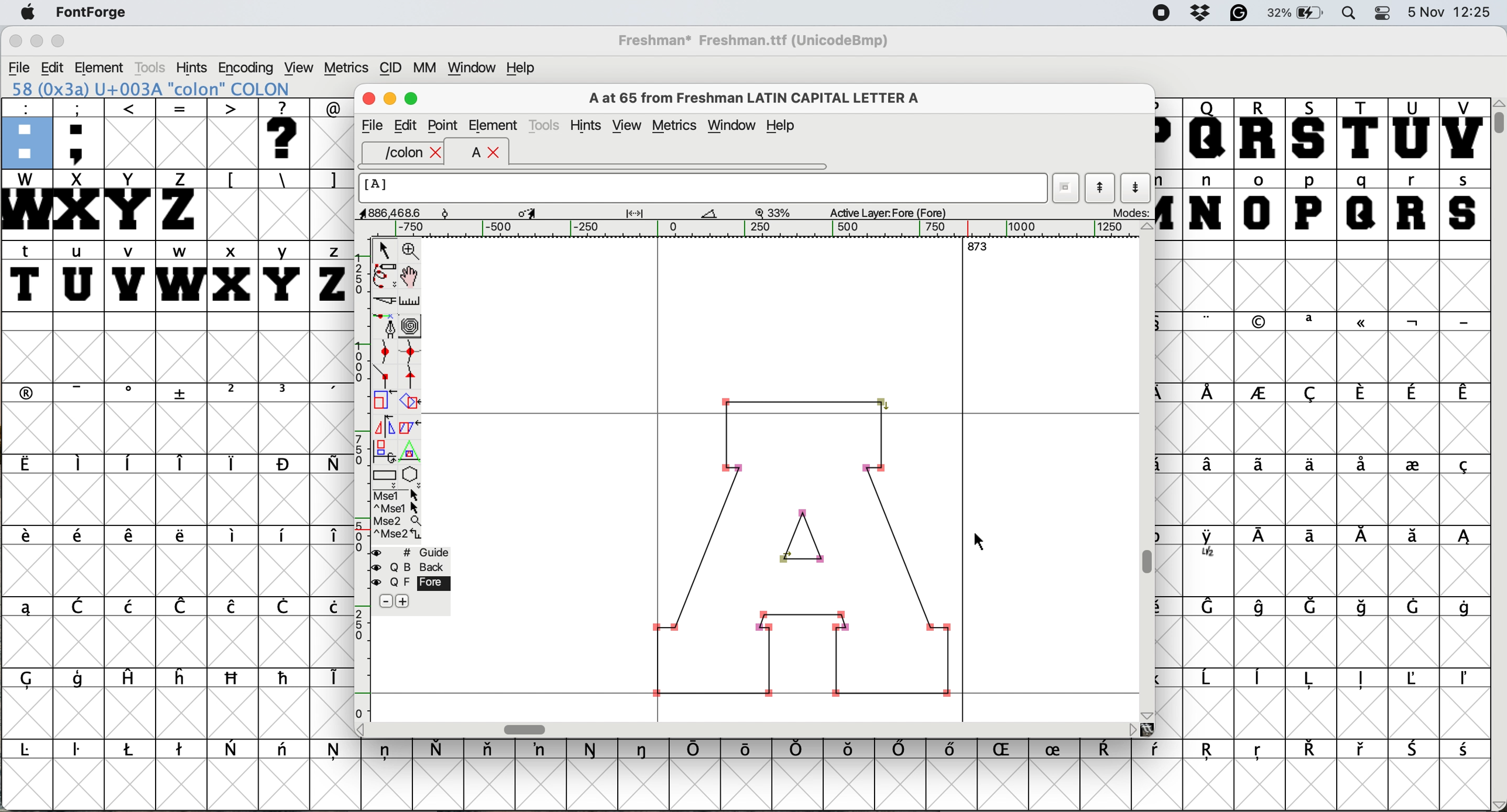 Image resolution: width=1507 pixels, height=812 pixels. Describe the element at coordinates (1159, 13) in the screenshot. I see `screen recorder` at that location.